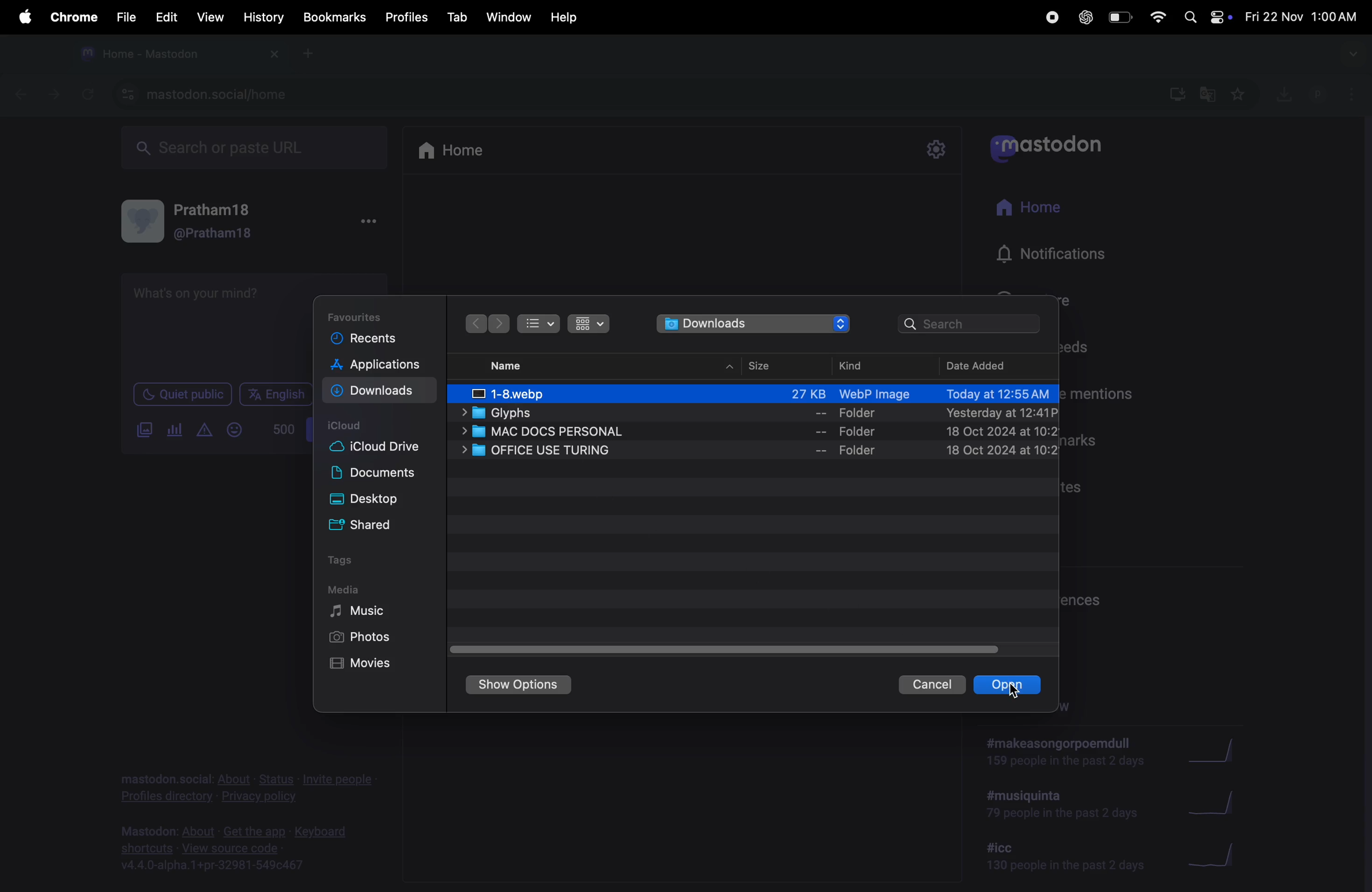 The image size is (1372, 892). What do you see at coordinates (215, 234) in the screenshot?
I see `@pratham18` at bounding box center [215, 234].